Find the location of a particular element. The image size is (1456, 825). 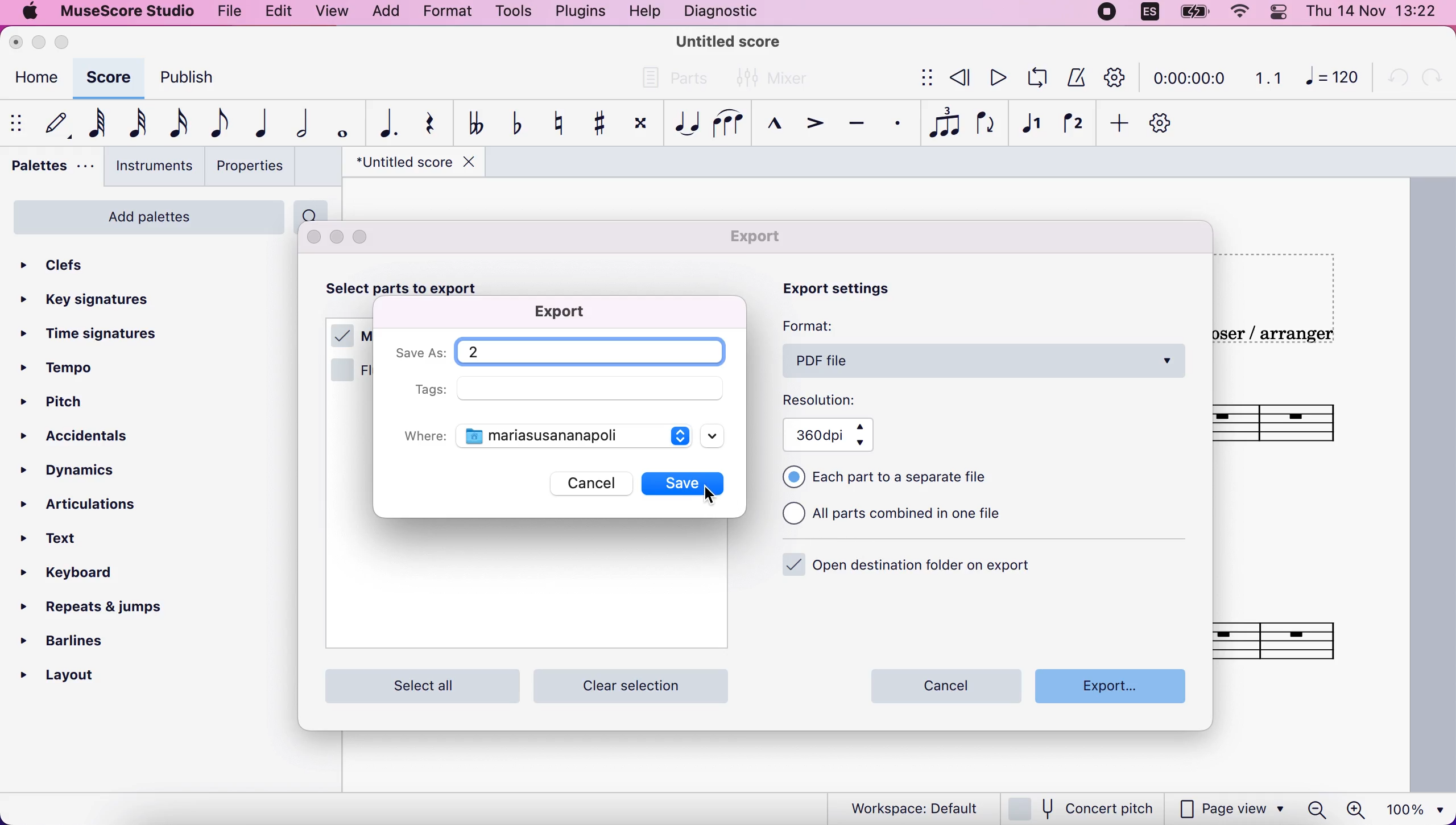

plugins is located at coordinates (575, 13).